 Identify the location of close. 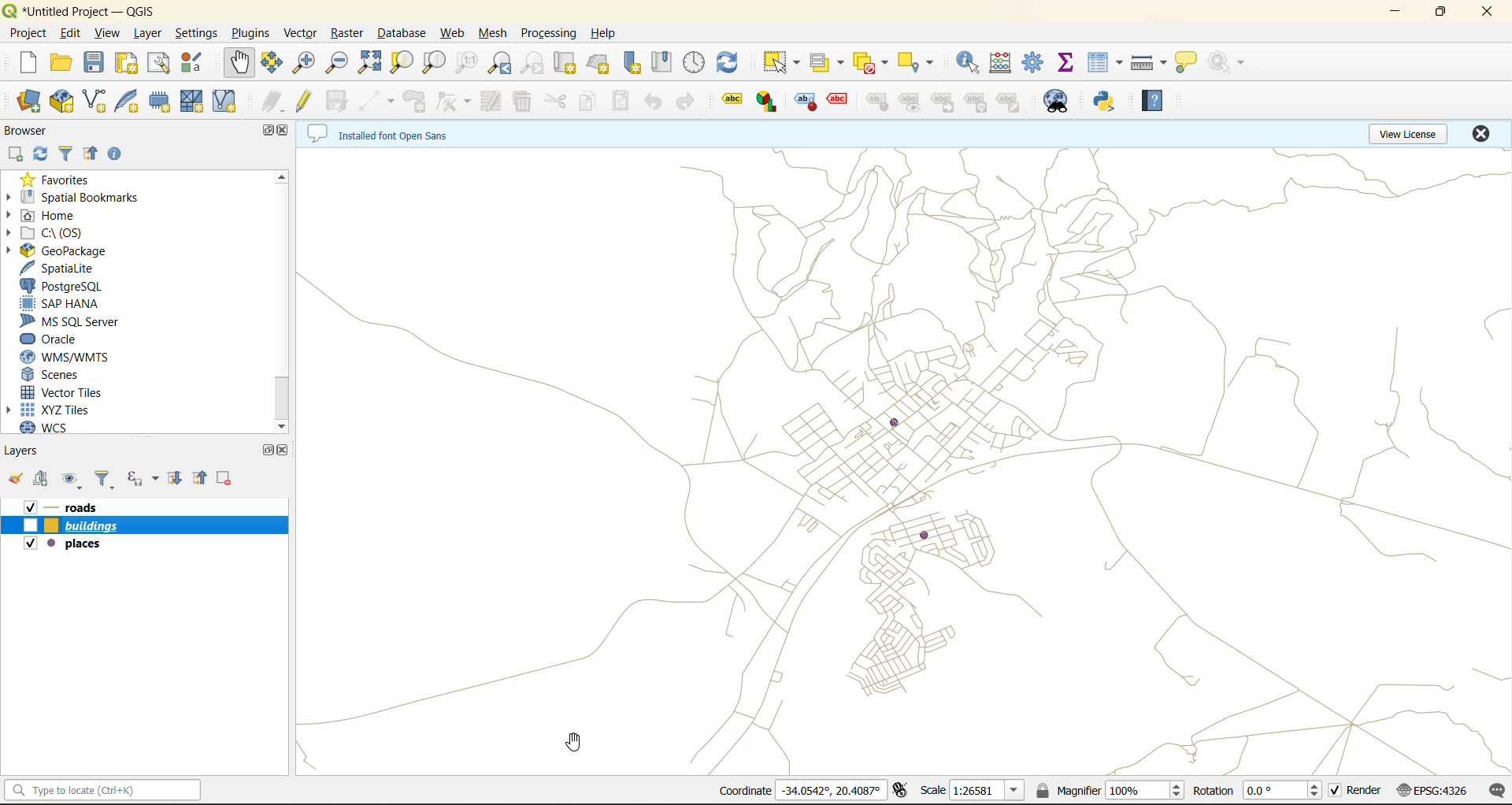
(287, 129).